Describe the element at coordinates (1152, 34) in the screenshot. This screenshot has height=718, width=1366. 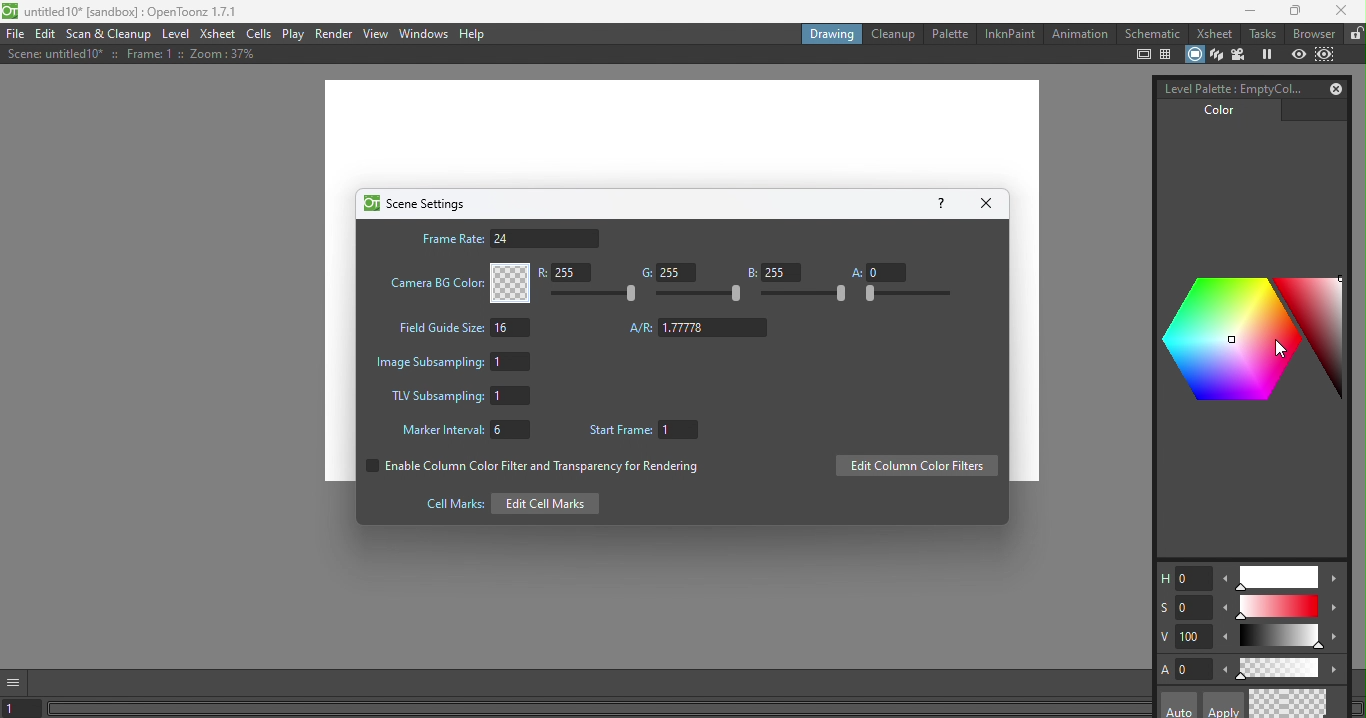
I see `Schematic` at that location.